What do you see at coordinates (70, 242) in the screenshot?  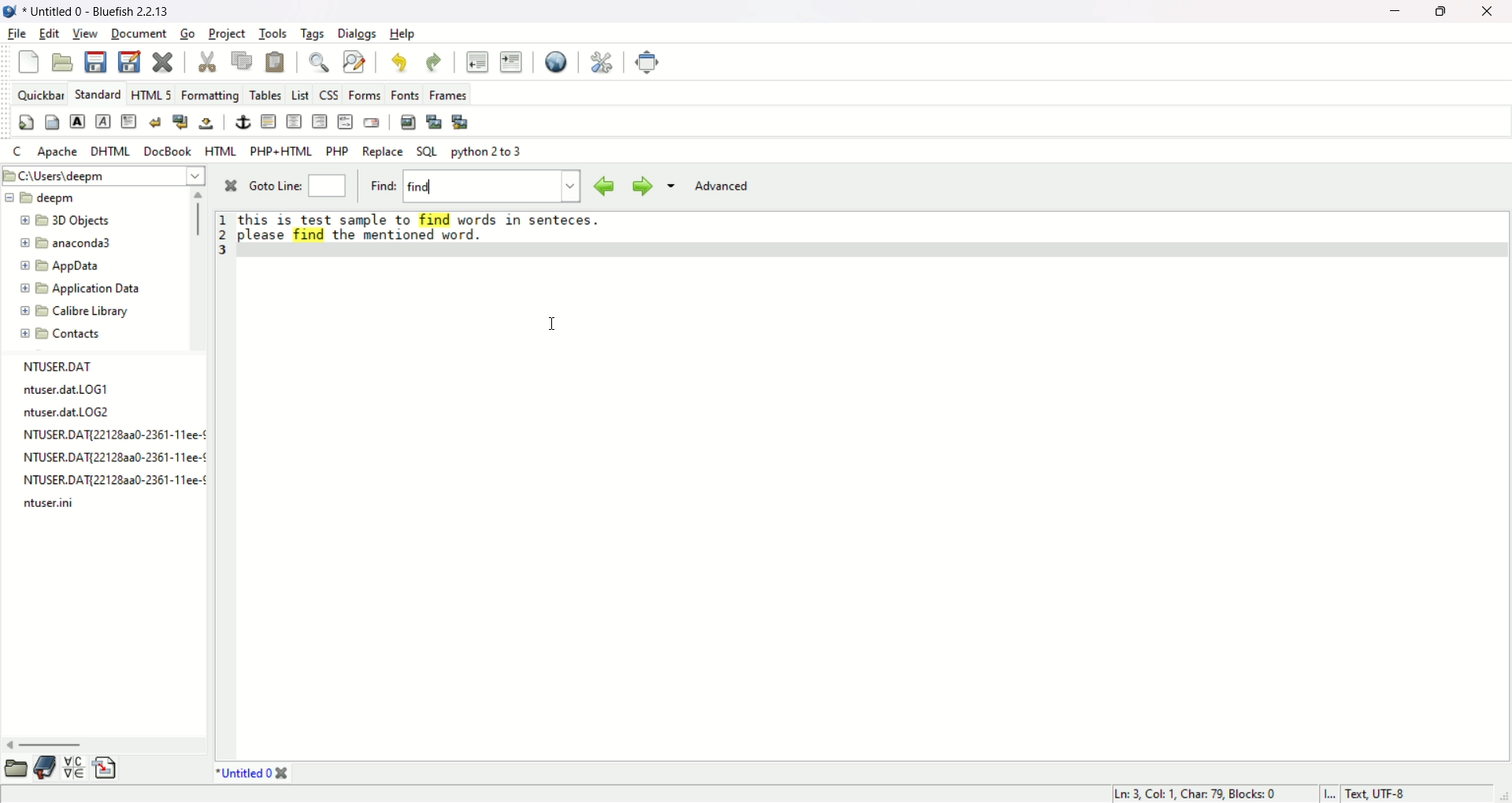 I see `anaconda3` at bounding box center [70, 242].